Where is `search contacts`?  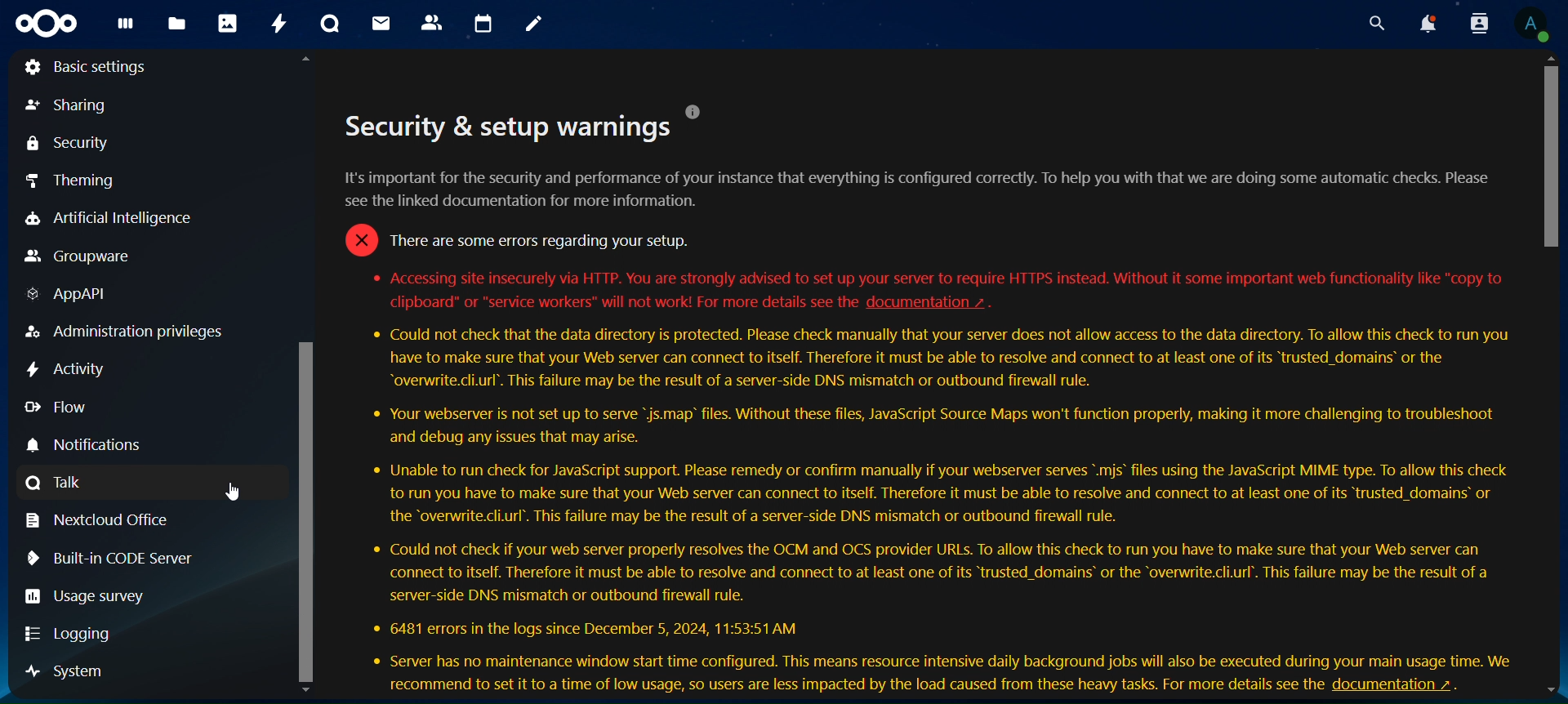
search contacts is located at coordinates (1474, 23).